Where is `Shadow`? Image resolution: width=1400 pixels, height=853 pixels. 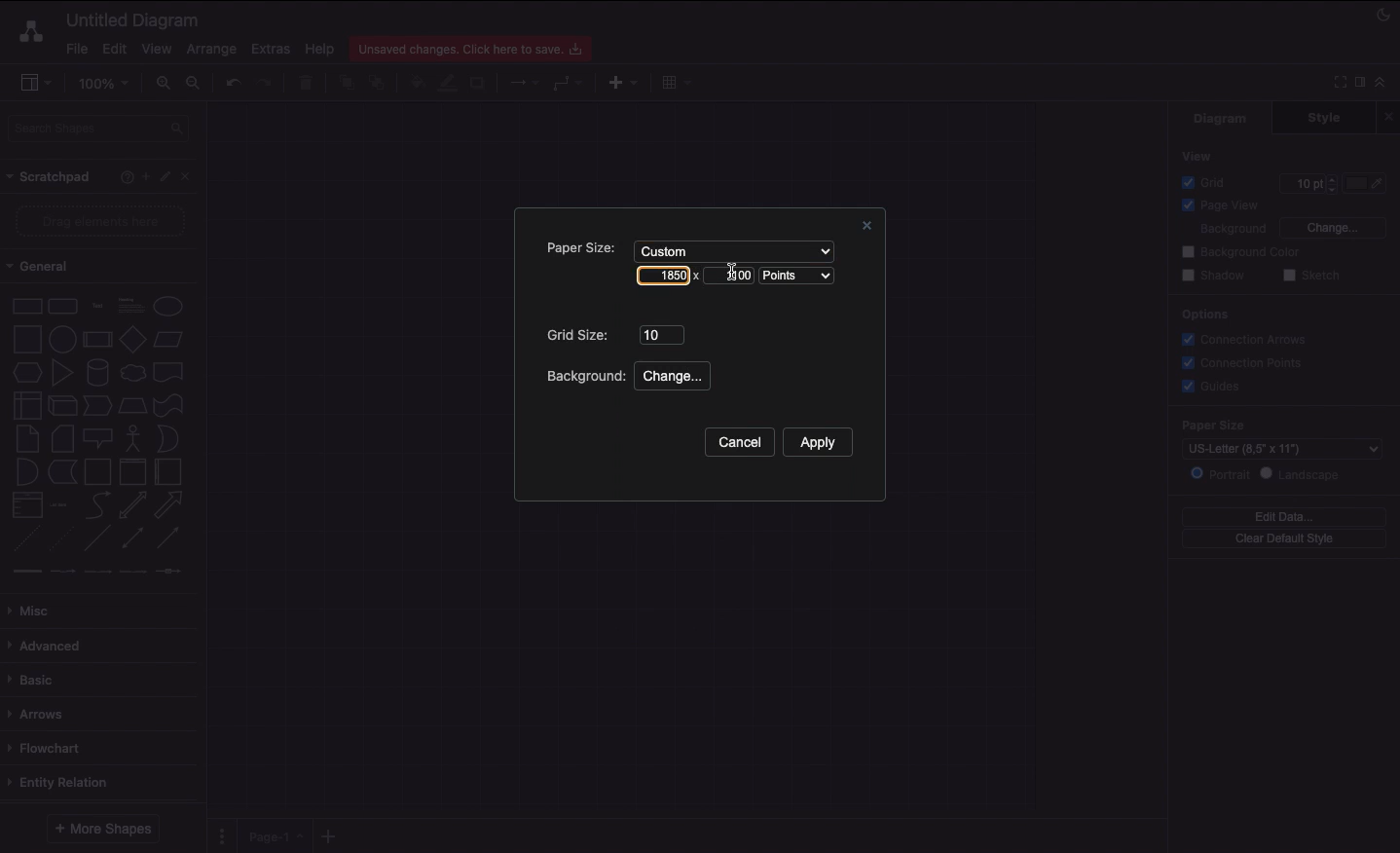 Shadow is located at coordinates (479, 82).